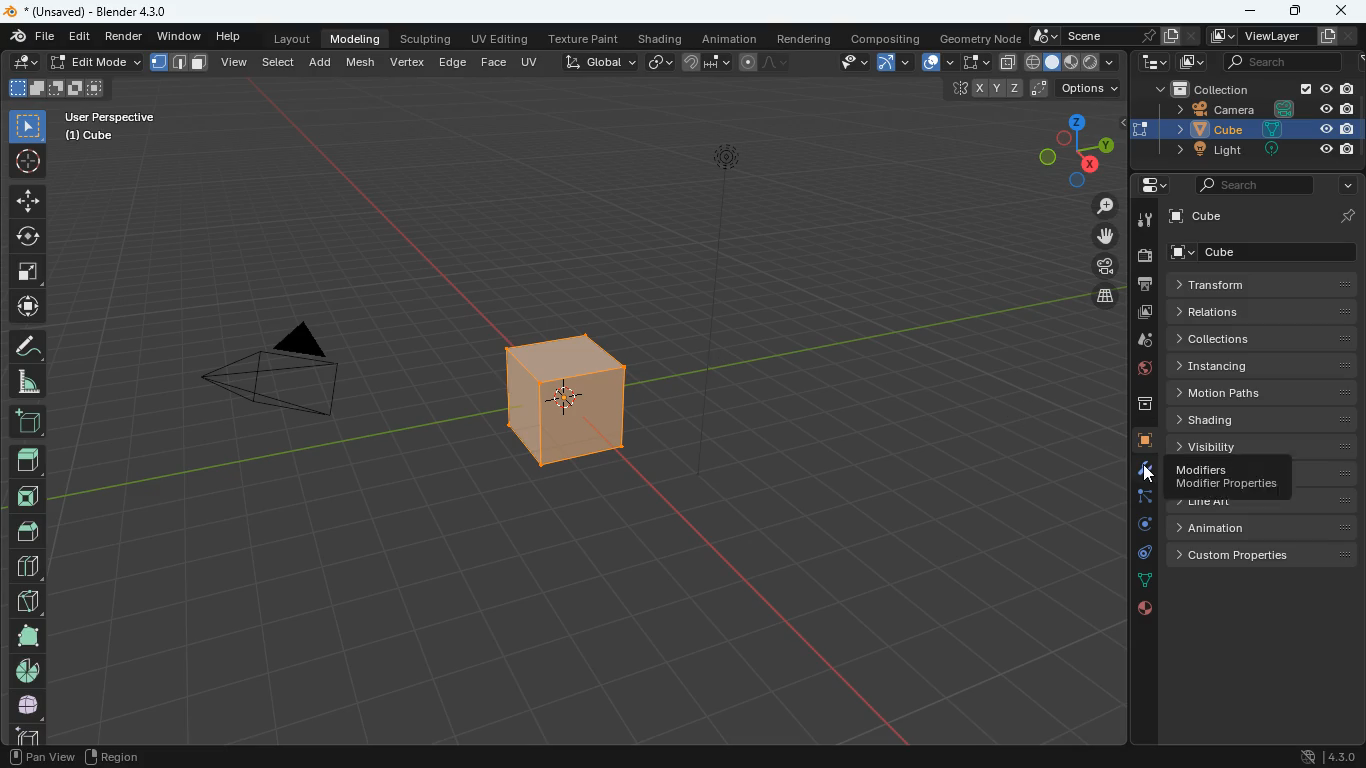 The height and width of the screenshot is (768, 1366). Describe the element at coordinates (28, 309) in the screenshot. I see `move` at that location.